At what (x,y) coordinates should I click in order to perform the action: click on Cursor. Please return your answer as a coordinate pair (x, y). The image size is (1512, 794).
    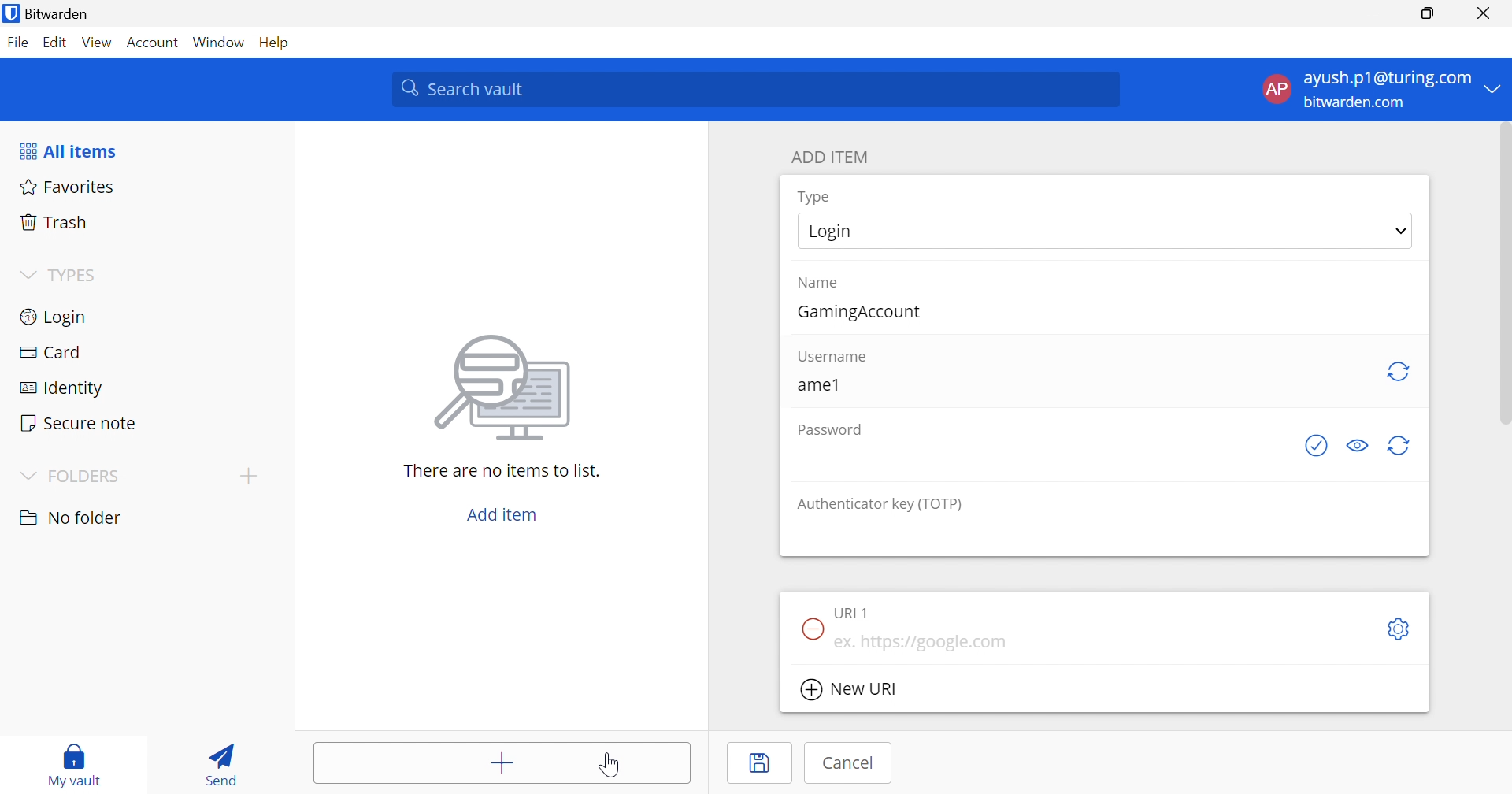
    Looking at the image, I should click on (612, 765).